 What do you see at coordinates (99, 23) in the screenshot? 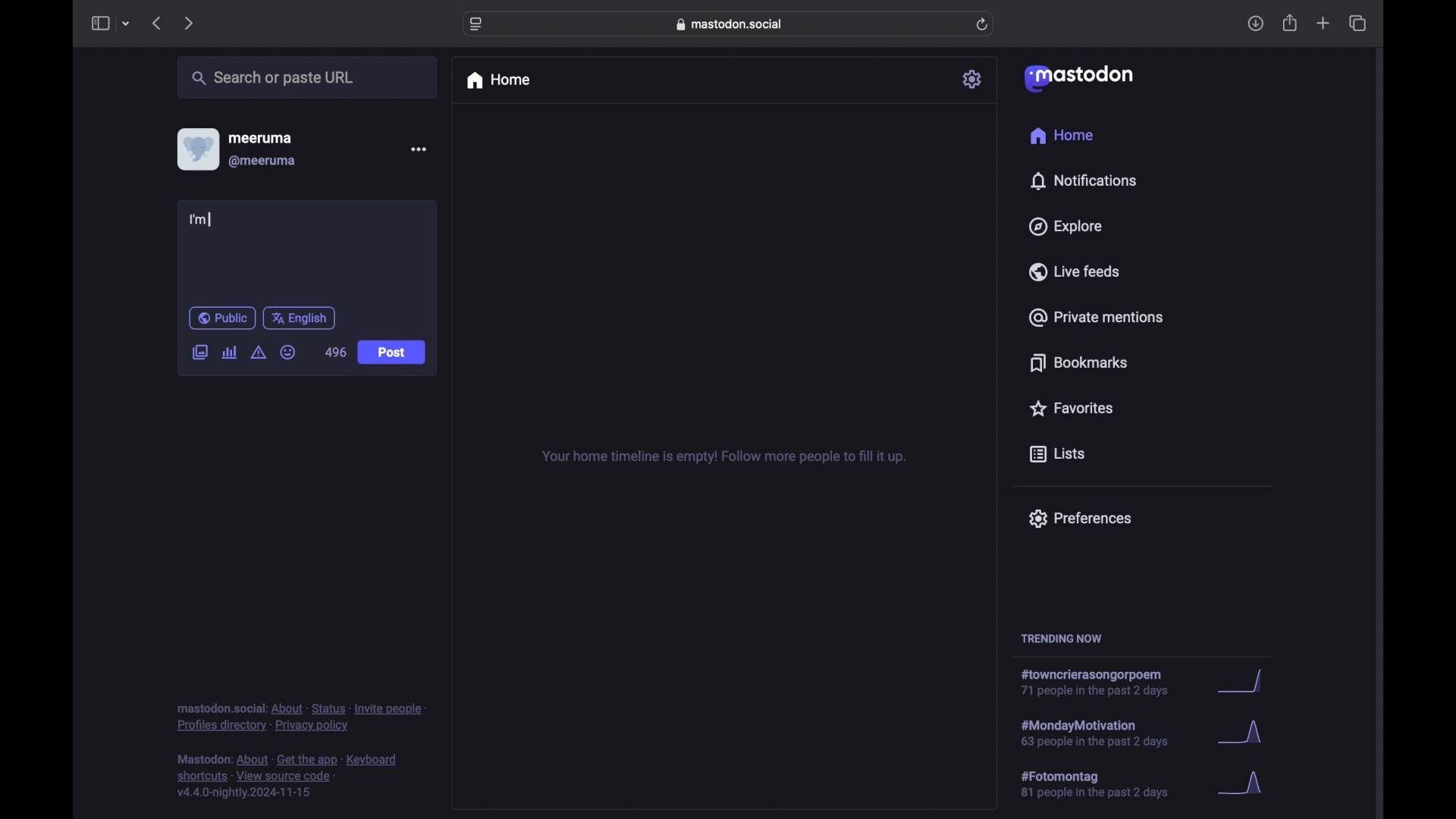
I see `side bar` at bounding box center [99, 23].